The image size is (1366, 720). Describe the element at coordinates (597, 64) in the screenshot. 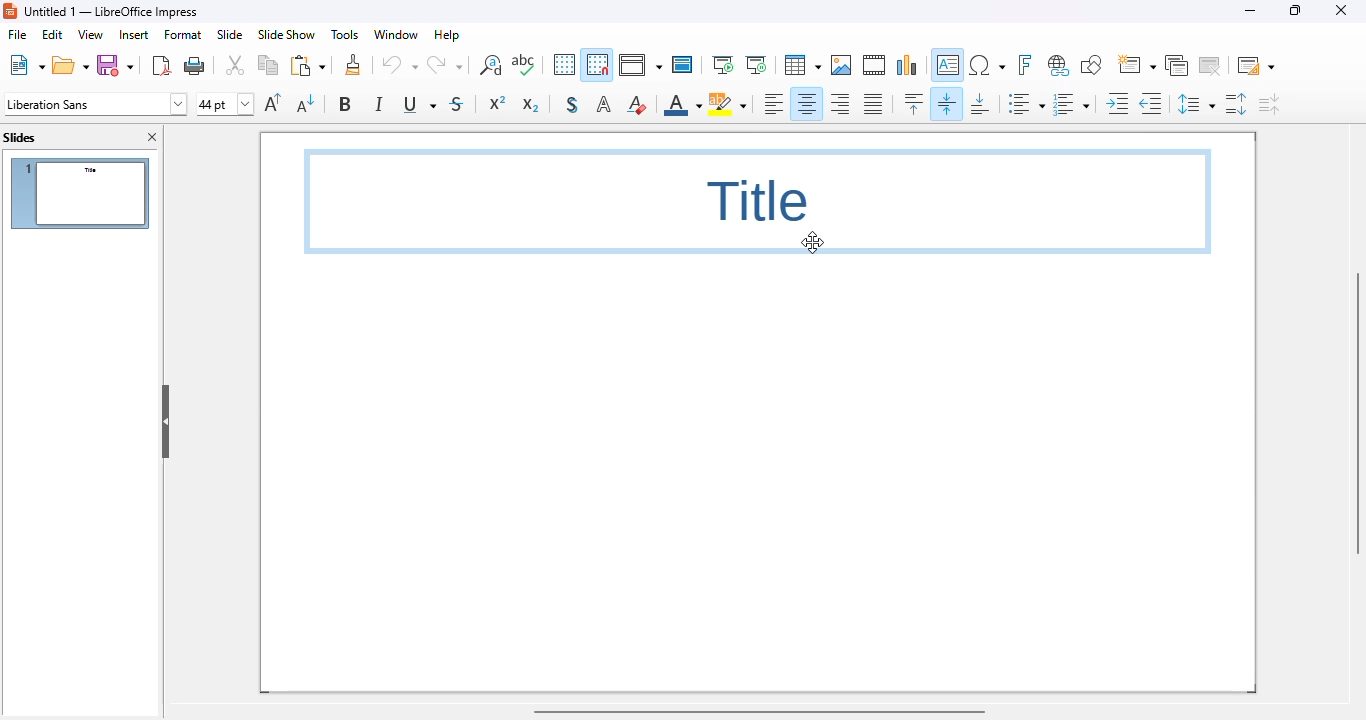

I see `snap to grid` at that location.